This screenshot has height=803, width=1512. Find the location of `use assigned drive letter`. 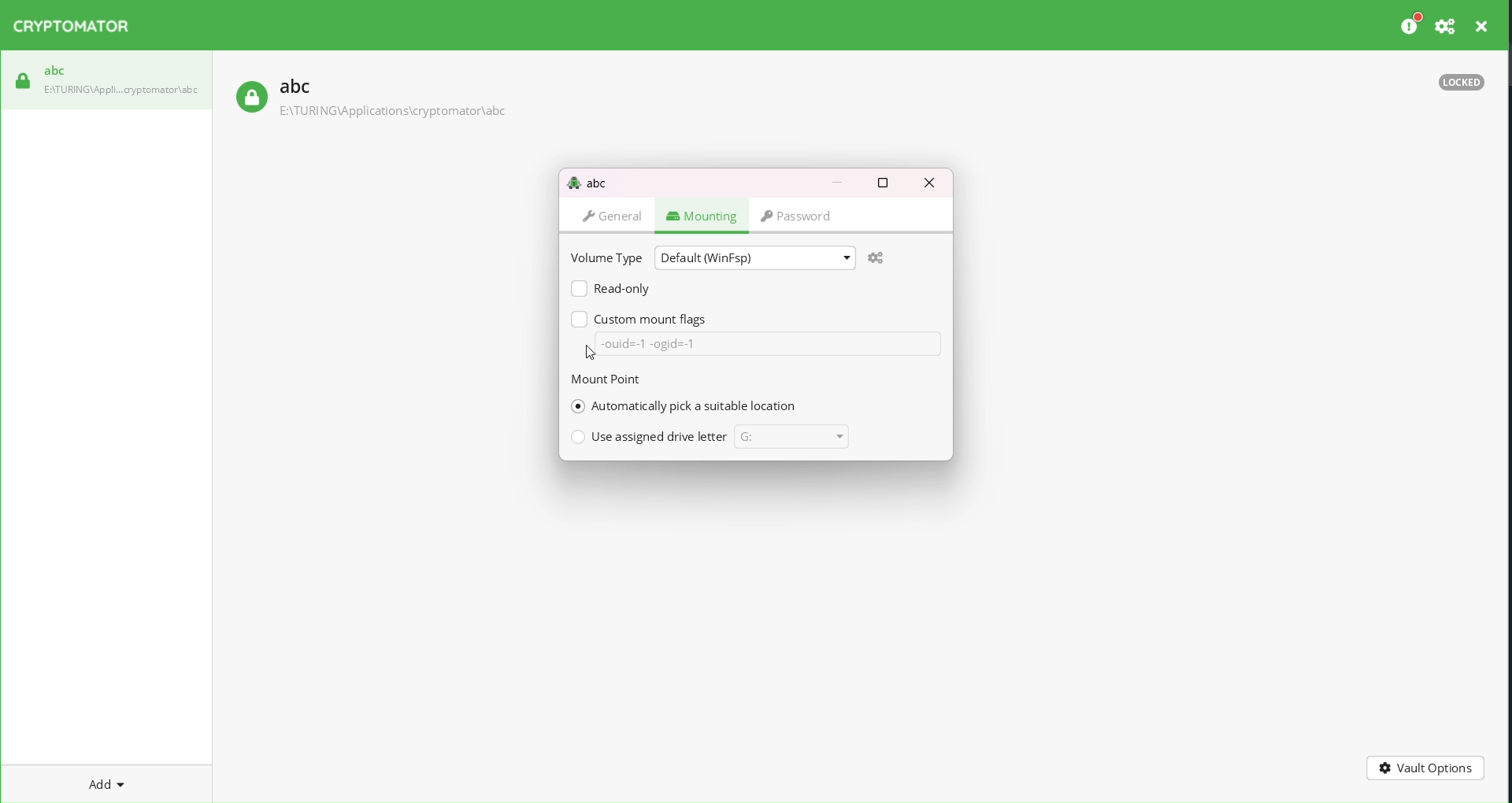

use assigned drive letter is located at coordinates (650, 435).